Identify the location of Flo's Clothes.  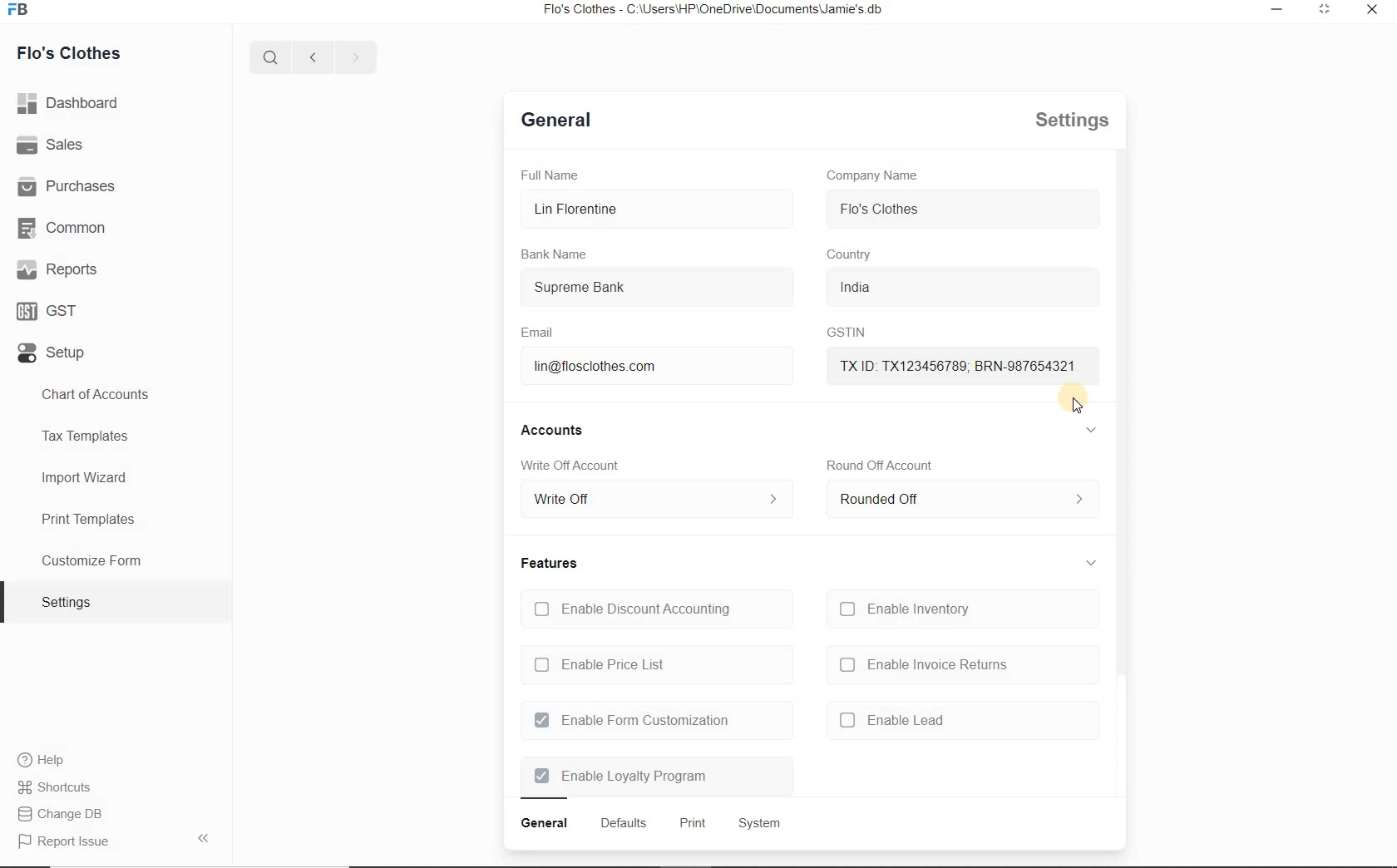
(72, 52).